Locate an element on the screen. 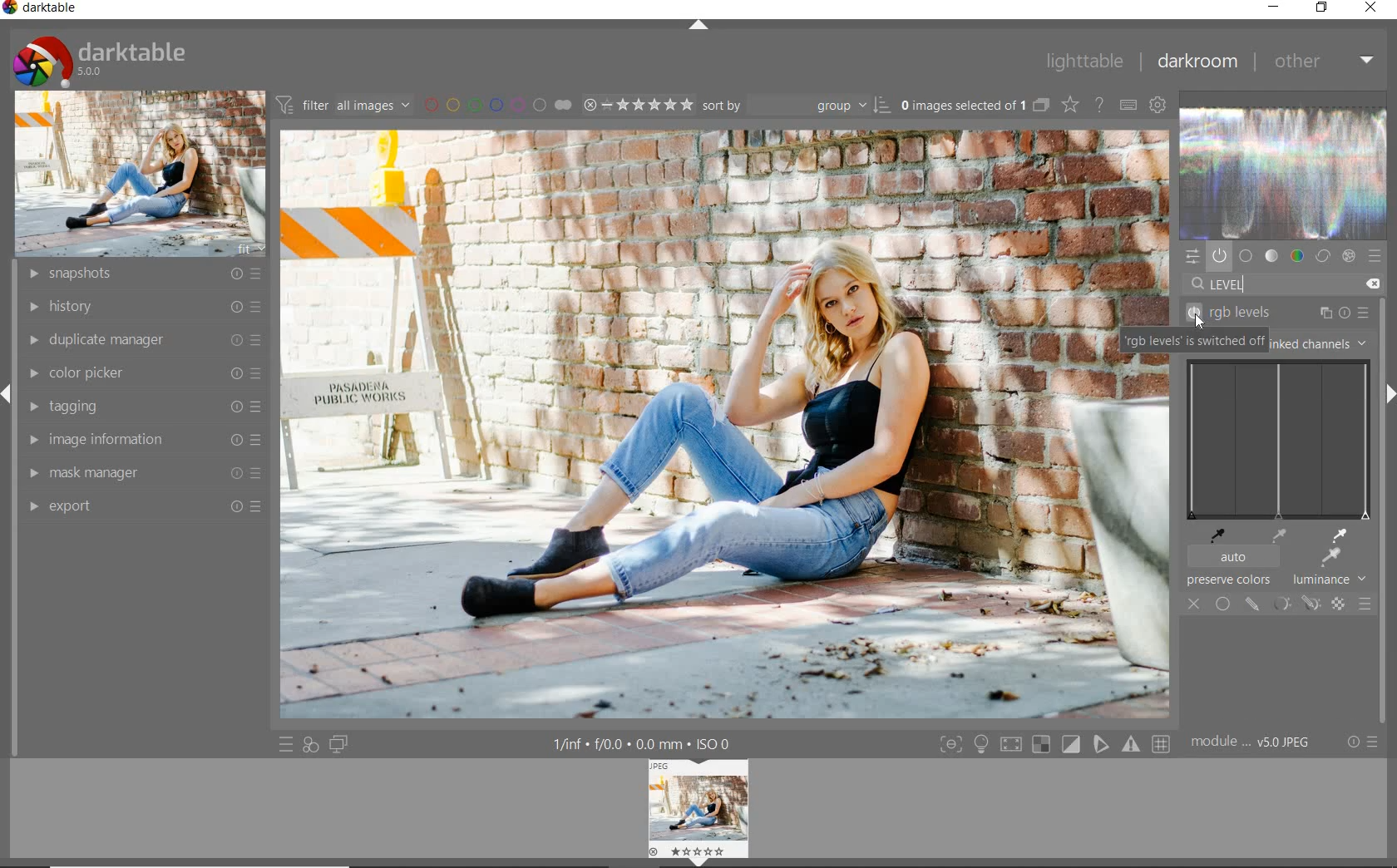 This screenshot has width=1397, height=868. rgb levels status is located at coordinates (1194, 316).